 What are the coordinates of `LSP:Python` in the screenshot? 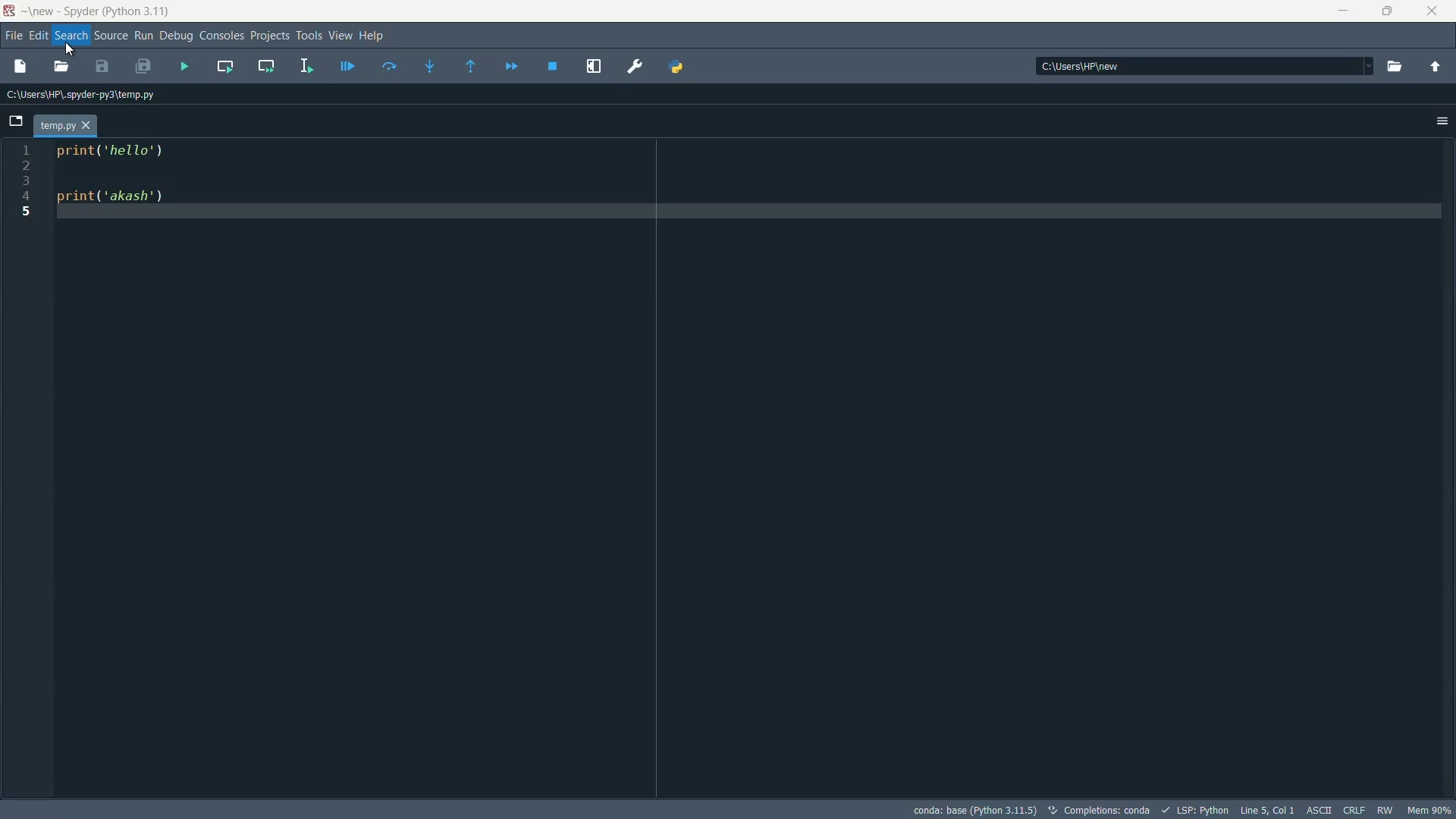 It's located at (1198, 808).